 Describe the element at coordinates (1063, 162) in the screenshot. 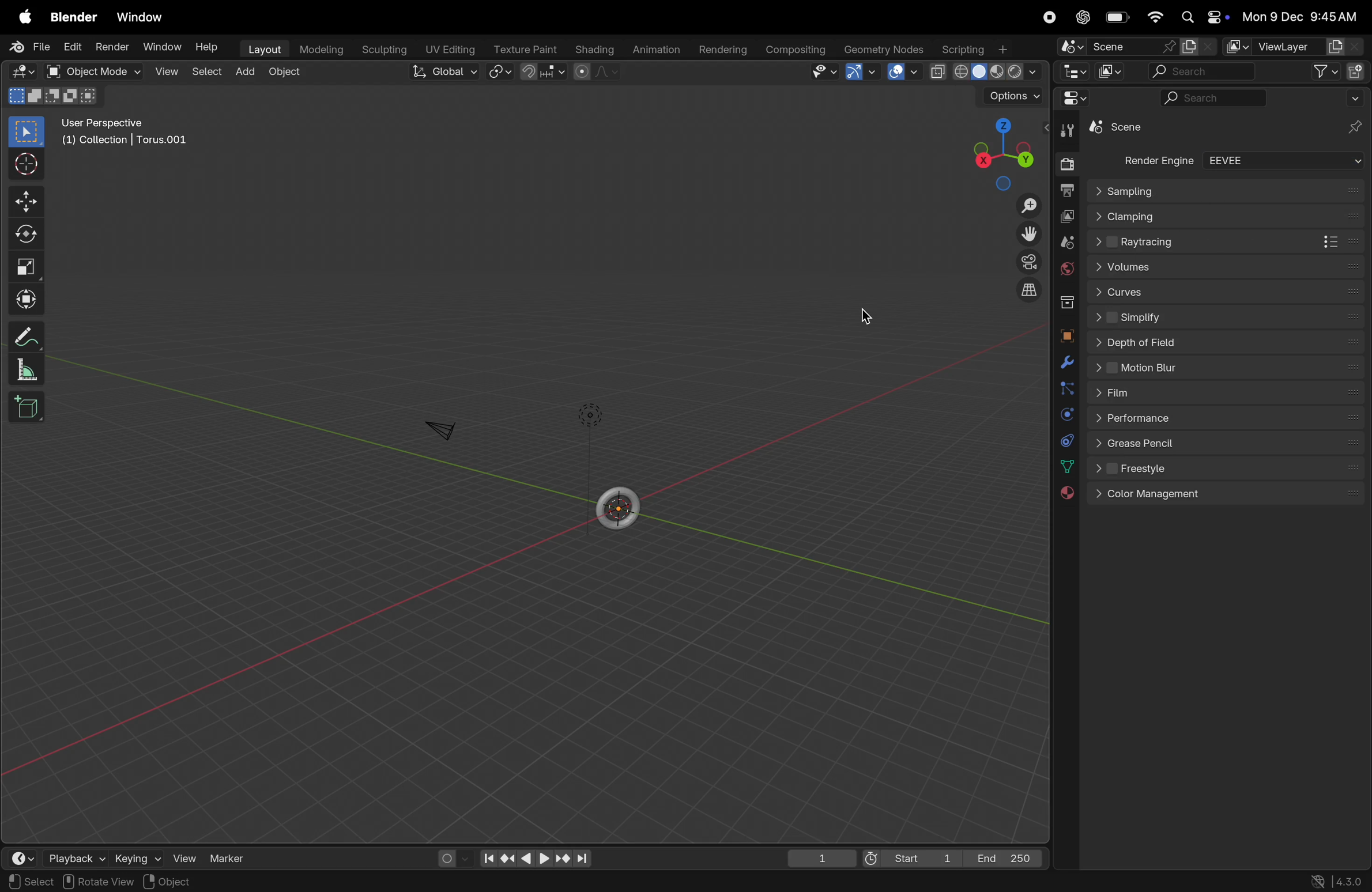

I see `render` at that location.